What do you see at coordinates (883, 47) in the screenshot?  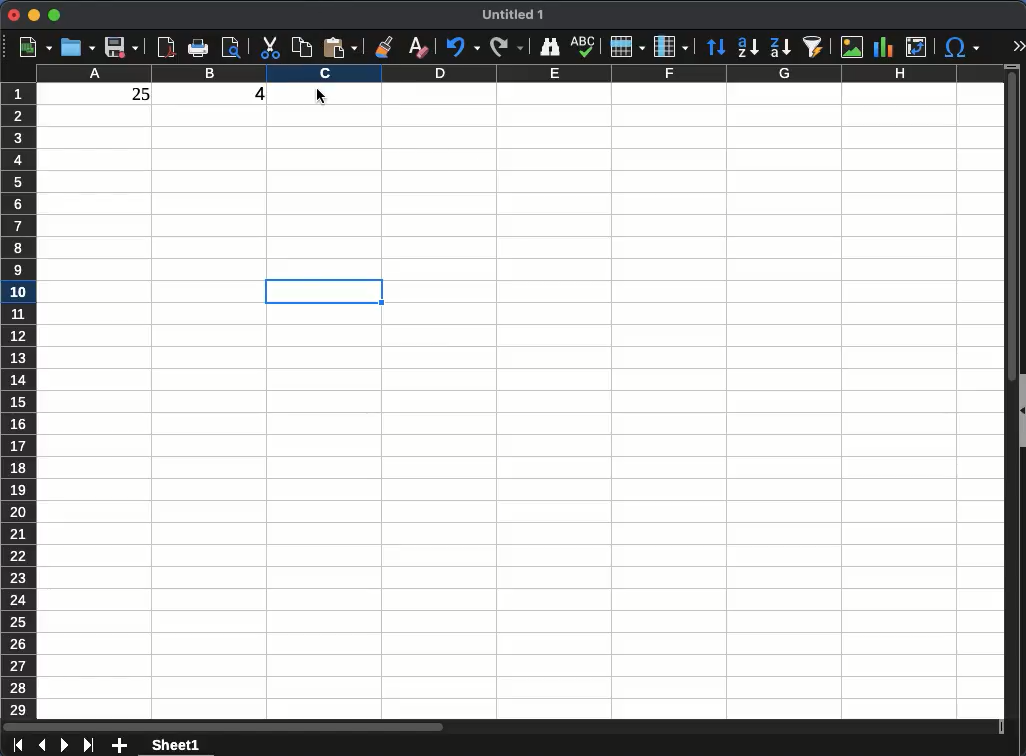 I see `chart` at bounding box center [883, 47].